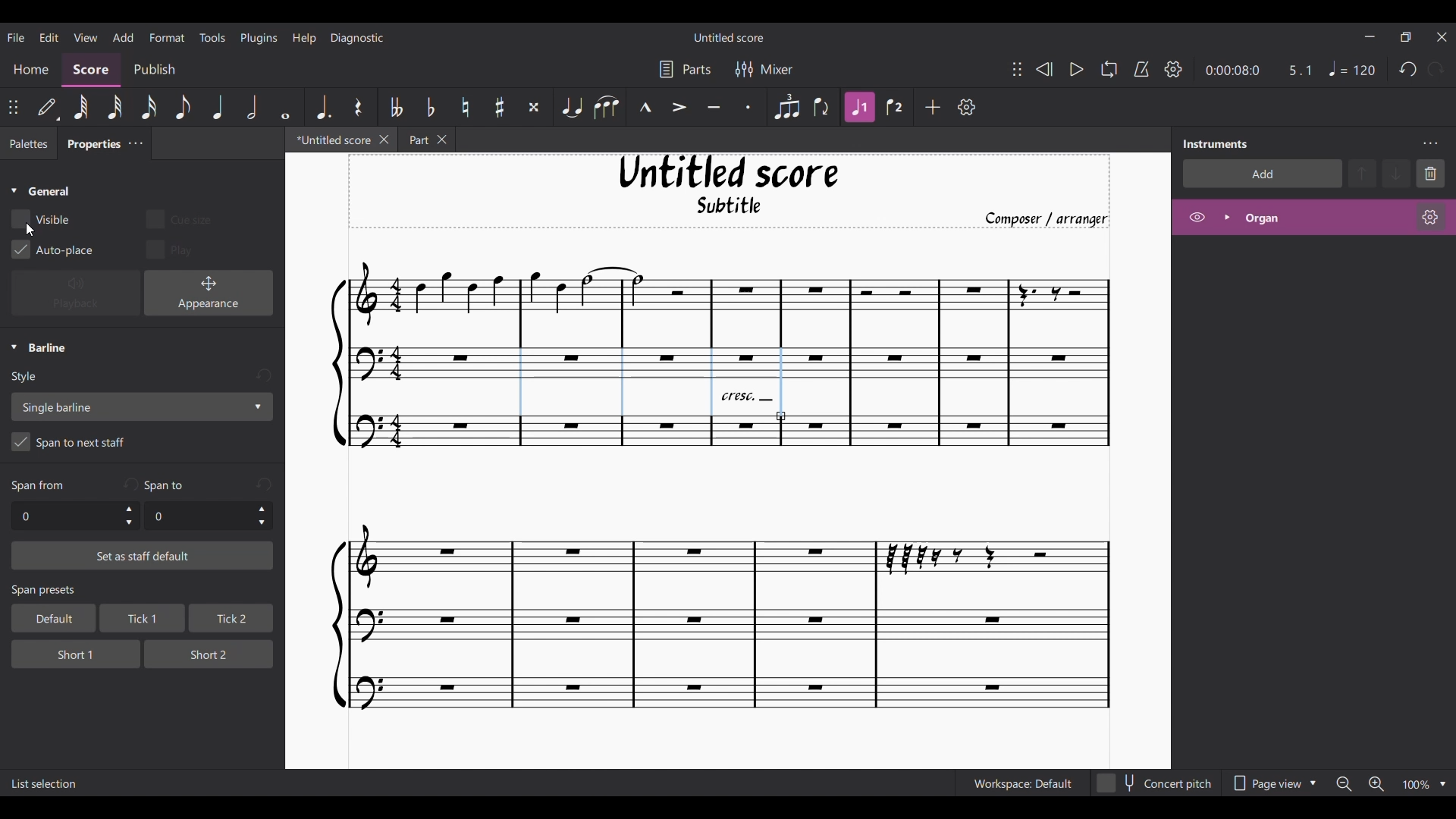  What do you see at coordinates (1016, 69) in the screenshot?
I see `Change position of toolbar attached` at bounding box center [1016, 69].